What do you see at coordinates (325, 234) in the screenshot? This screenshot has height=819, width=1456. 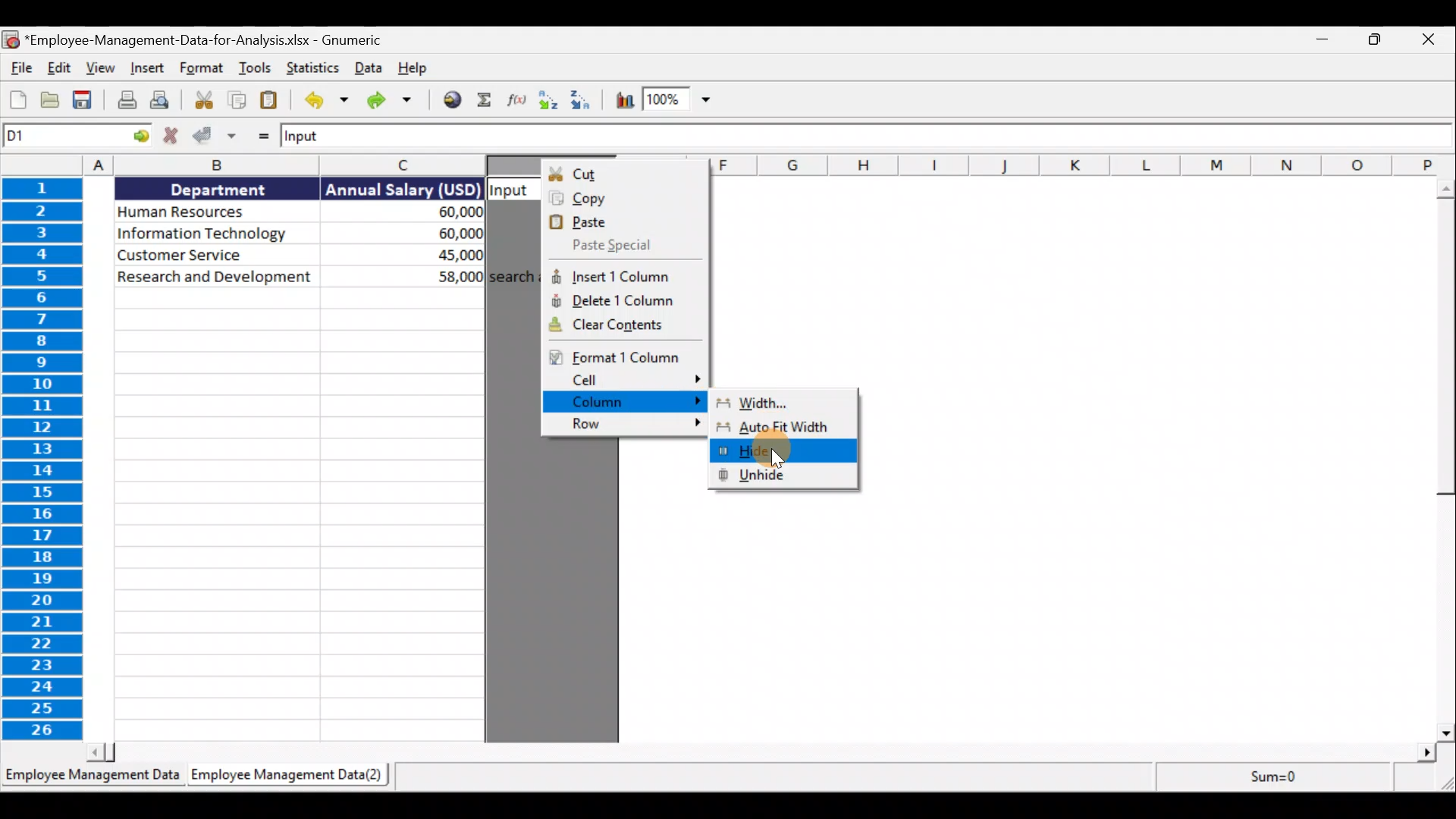 I see `Data` at bounding box center [325, 234].